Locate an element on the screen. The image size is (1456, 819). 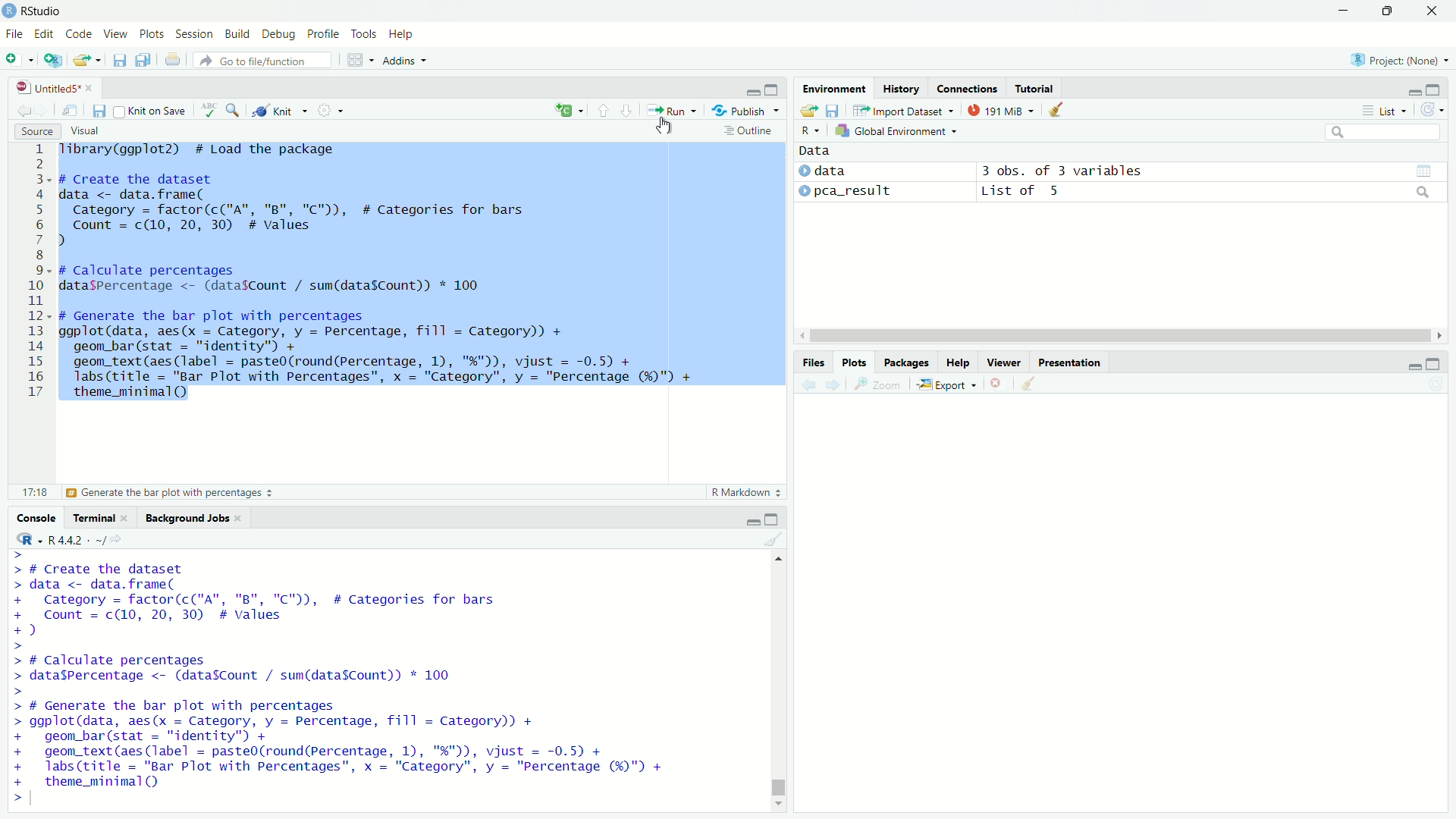
memory usage: 191MB is located at coordinates (1003, 109).